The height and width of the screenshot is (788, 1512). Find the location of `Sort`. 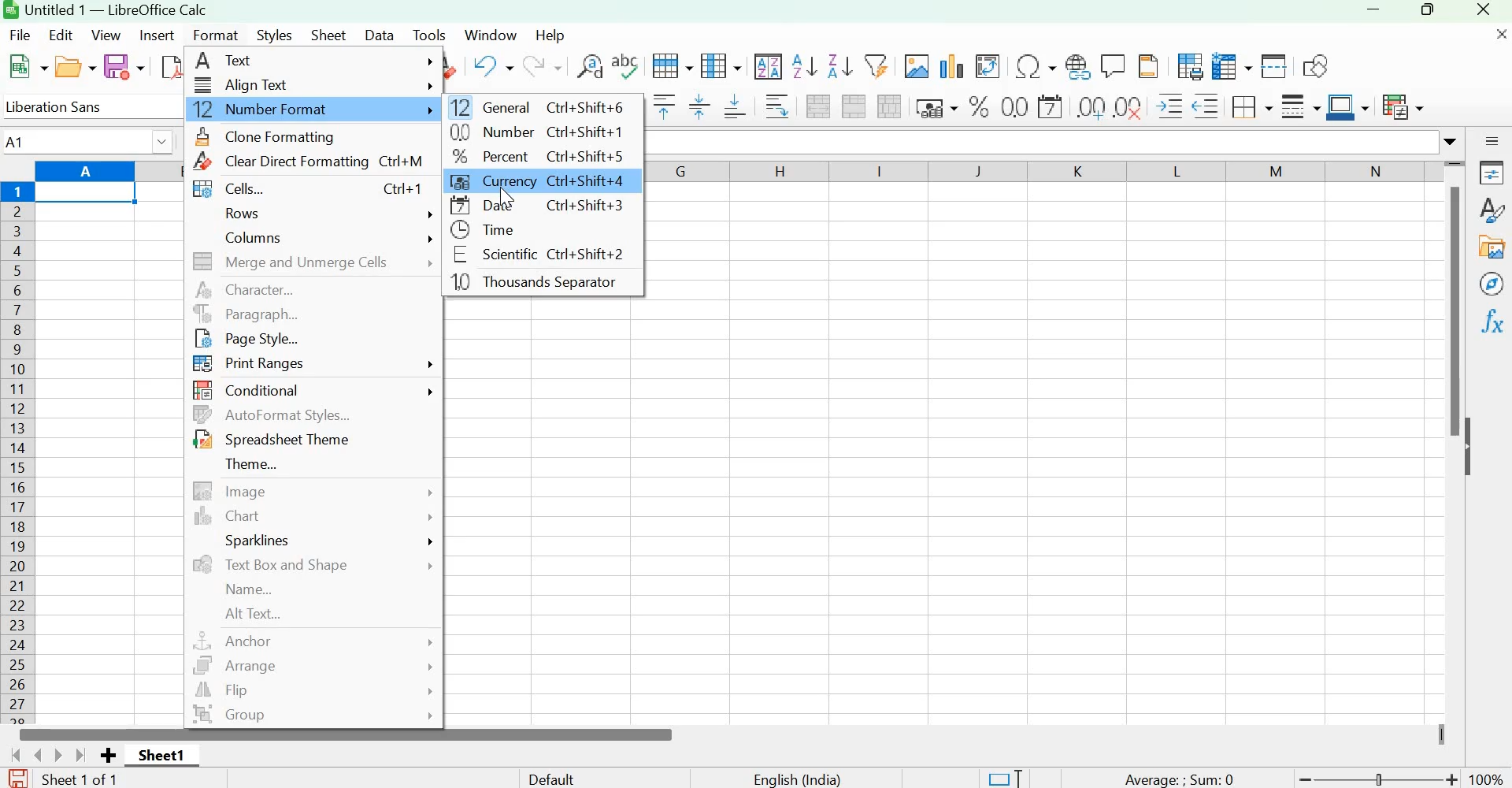

Sort is located at coordinates (769, 66).